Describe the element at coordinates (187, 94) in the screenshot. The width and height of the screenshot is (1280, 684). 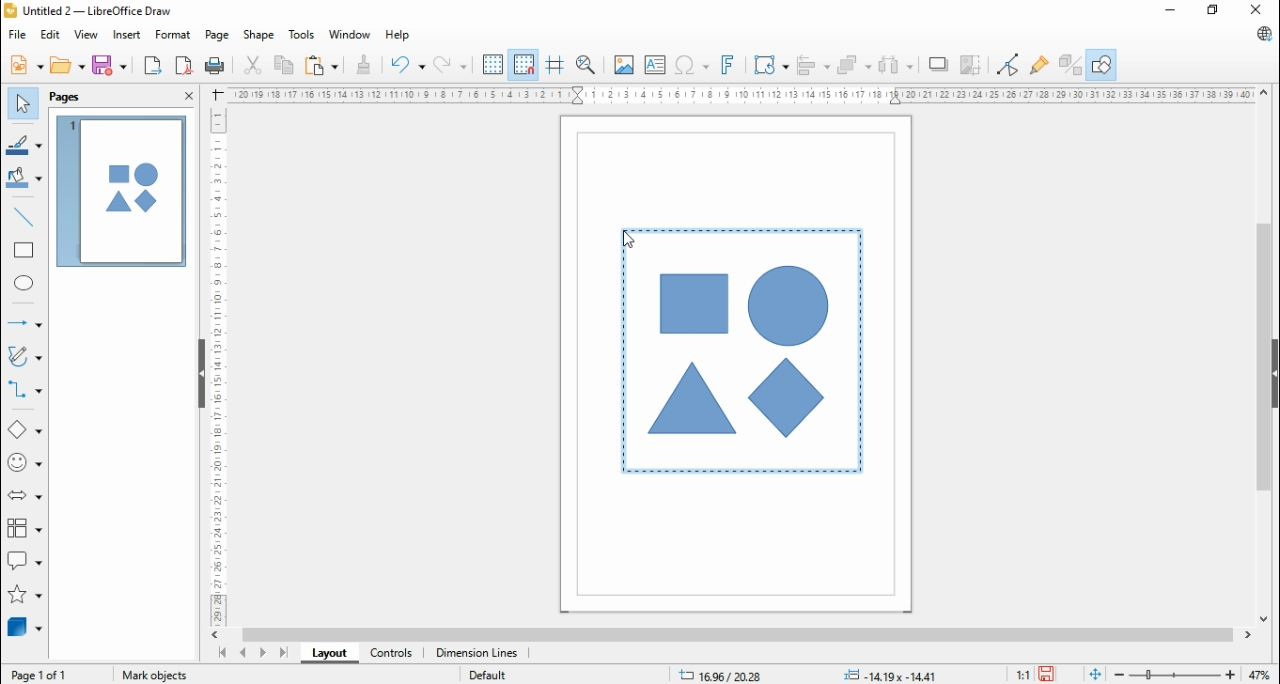
I see `close pane` at that location.